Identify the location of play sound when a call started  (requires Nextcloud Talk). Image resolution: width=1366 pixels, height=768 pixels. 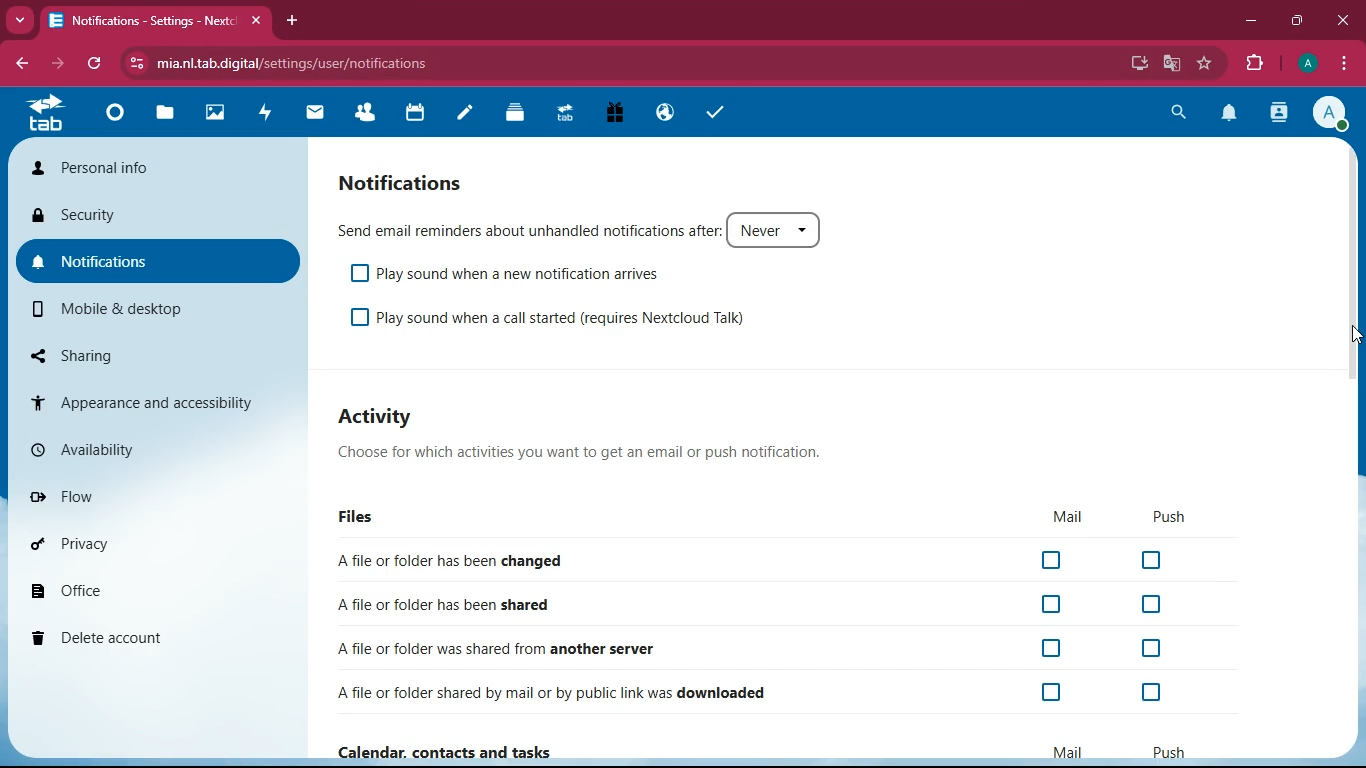
(569, 319).